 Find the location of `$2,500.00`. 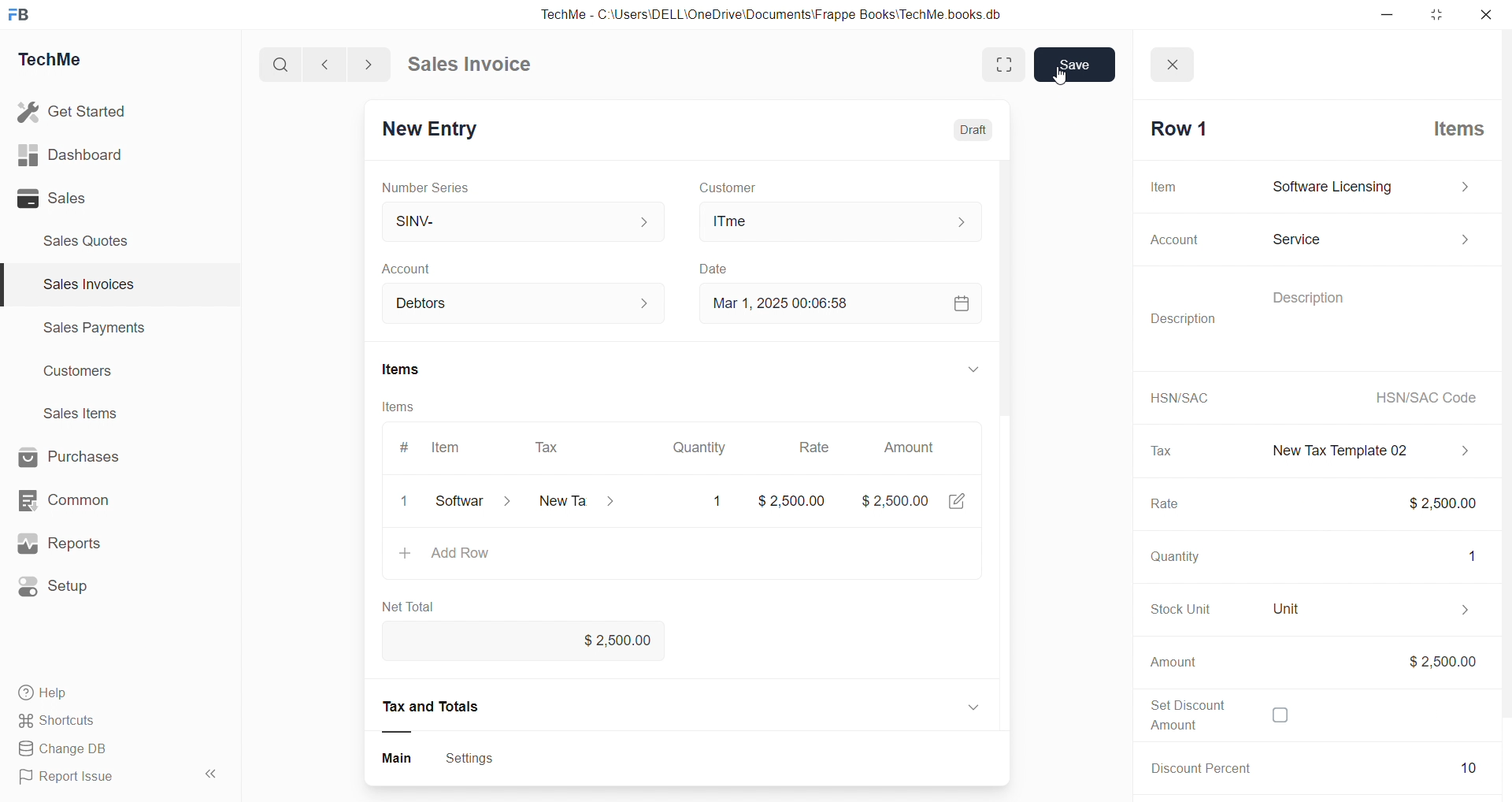

$2,500.00 is located at coordinates (1430, 502).